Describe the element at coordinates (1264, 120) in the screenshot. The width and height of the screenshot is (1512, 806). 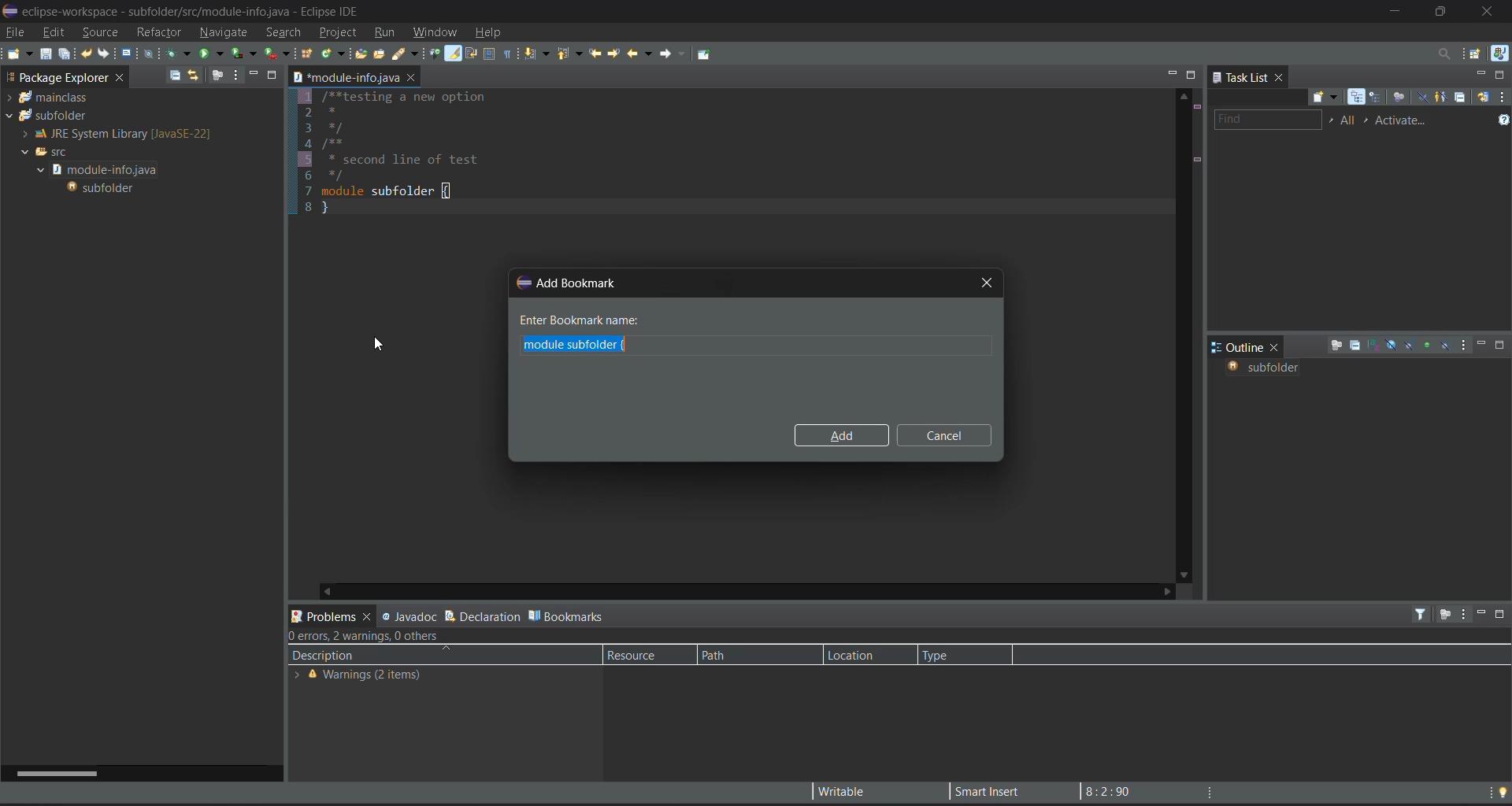
I see `find` at that location.